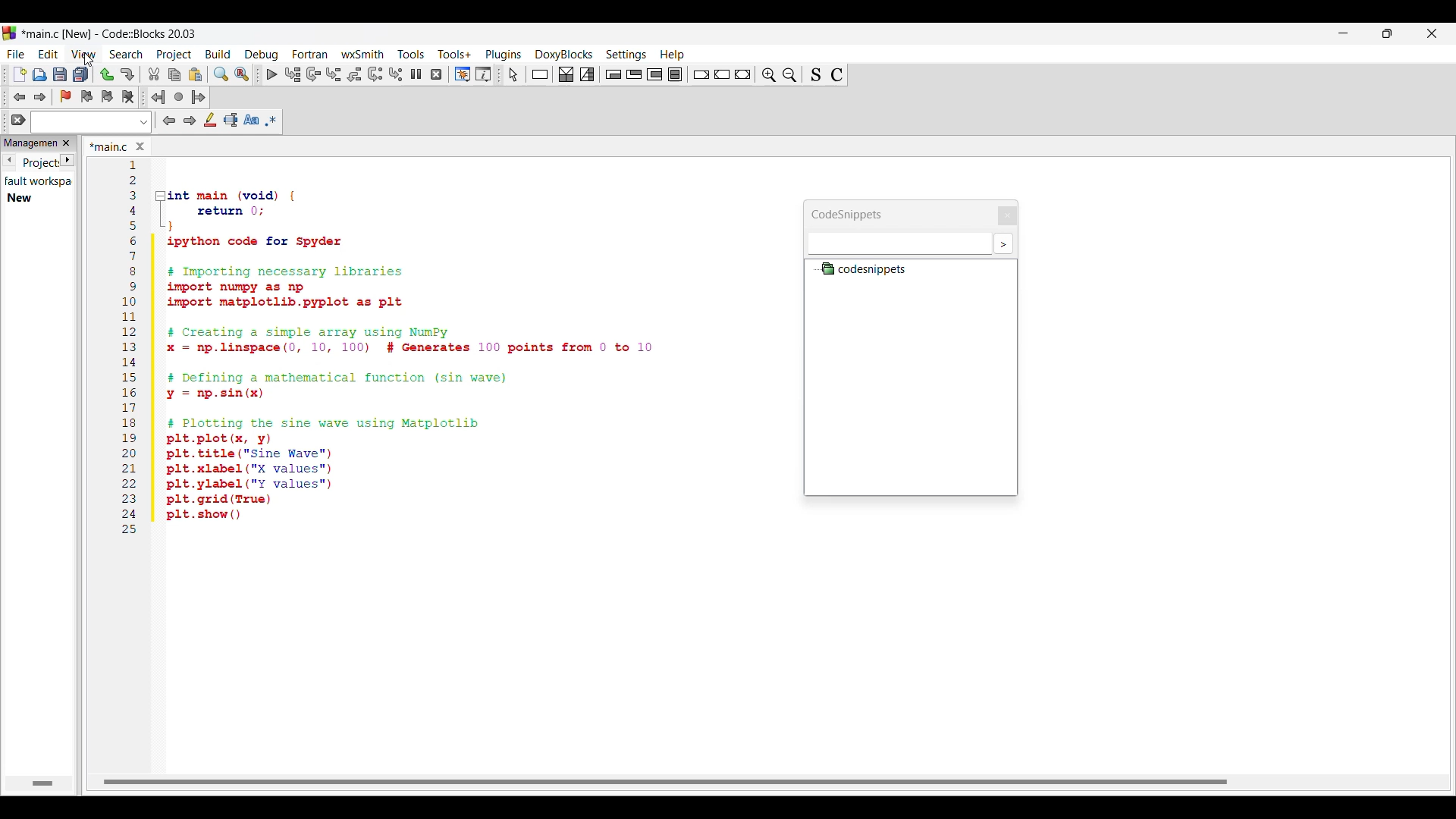  What do you see at coordinates (626, 55) in the screenshot?
I see `Settings menu` at bounding box center [626, 55].